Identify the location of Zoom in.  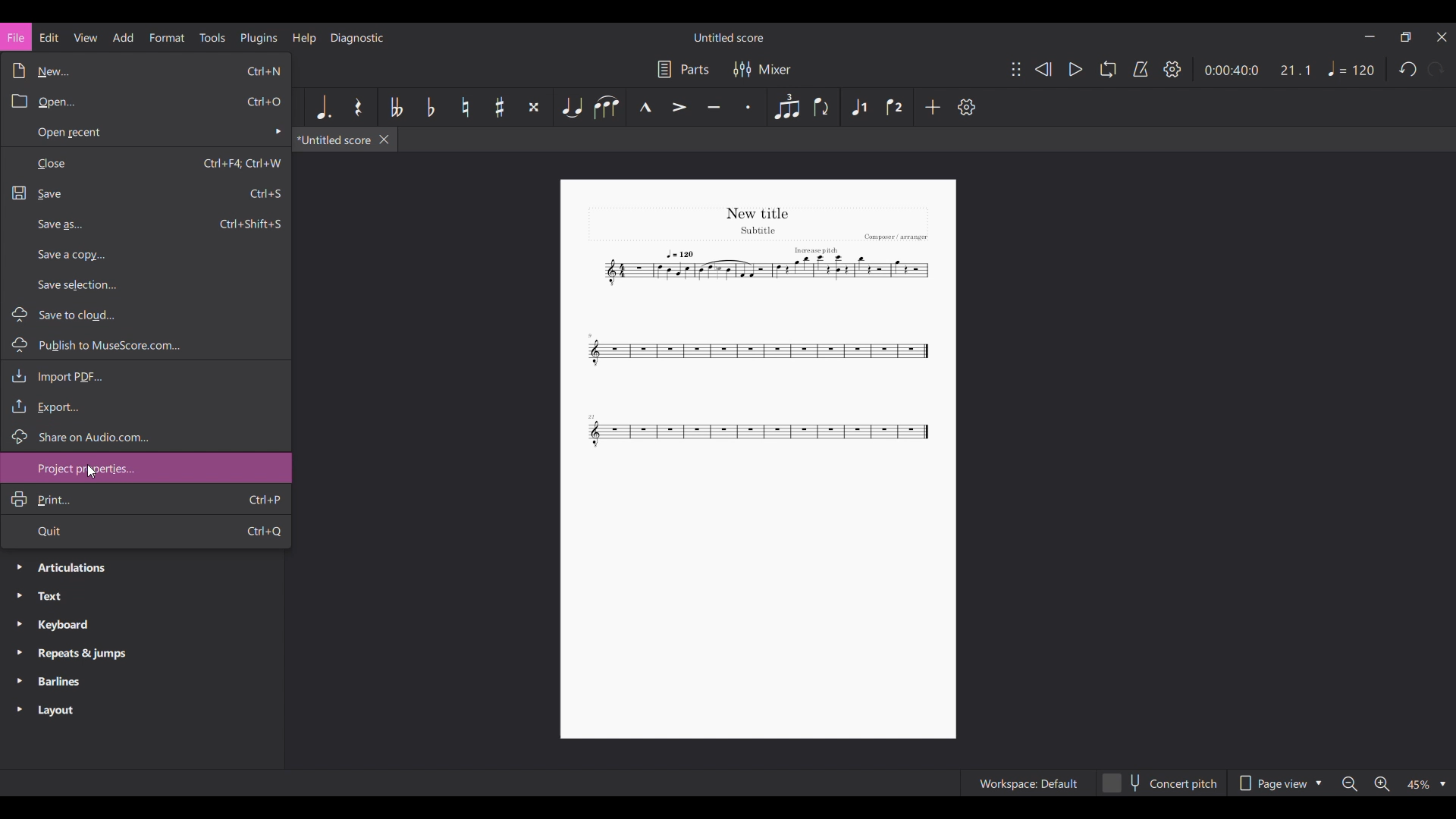
(1382, 784).